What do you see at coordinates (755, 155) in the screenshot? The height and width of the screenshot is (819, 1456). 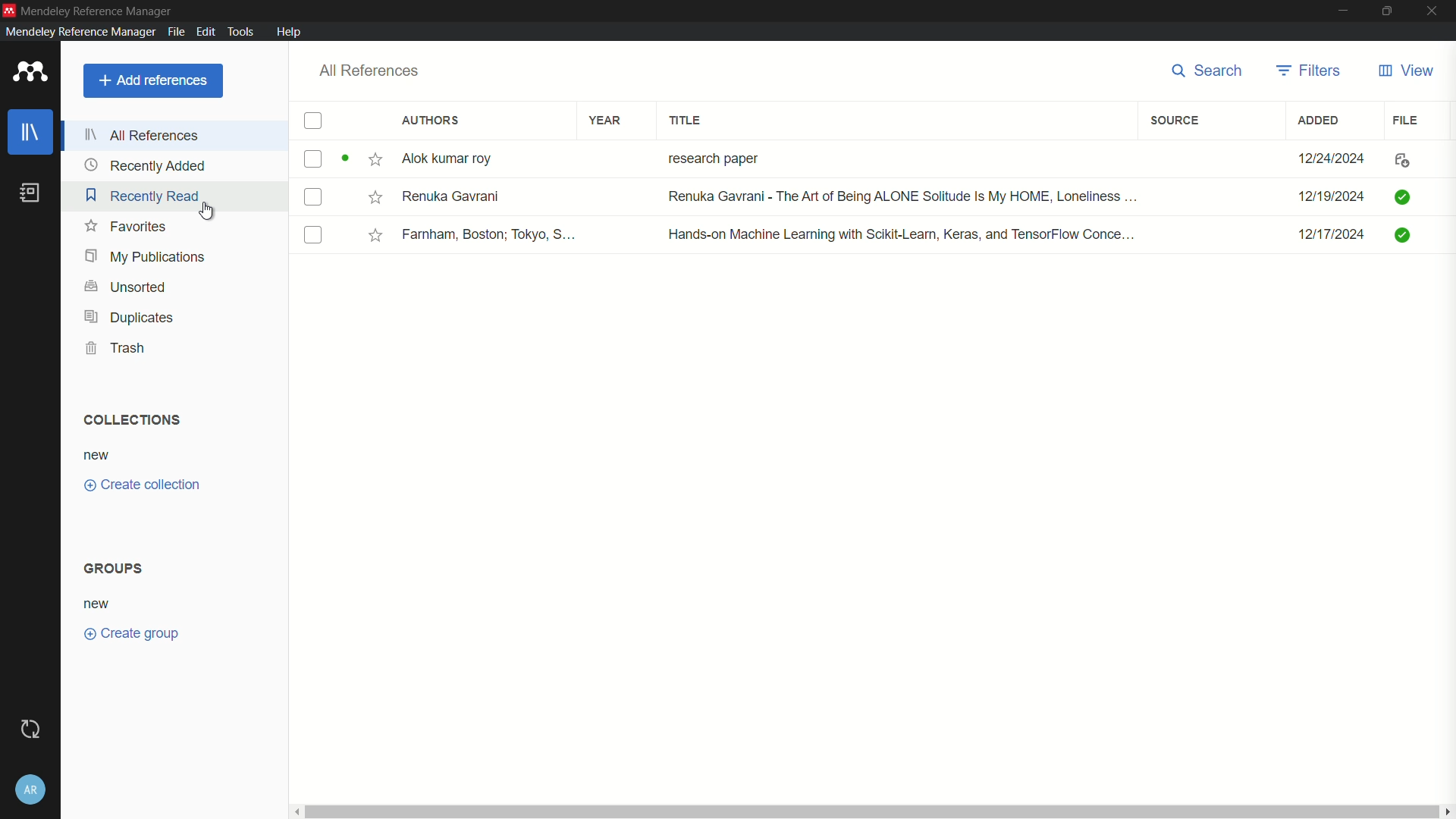 I see `research paper` at bounding box center [755, 155].